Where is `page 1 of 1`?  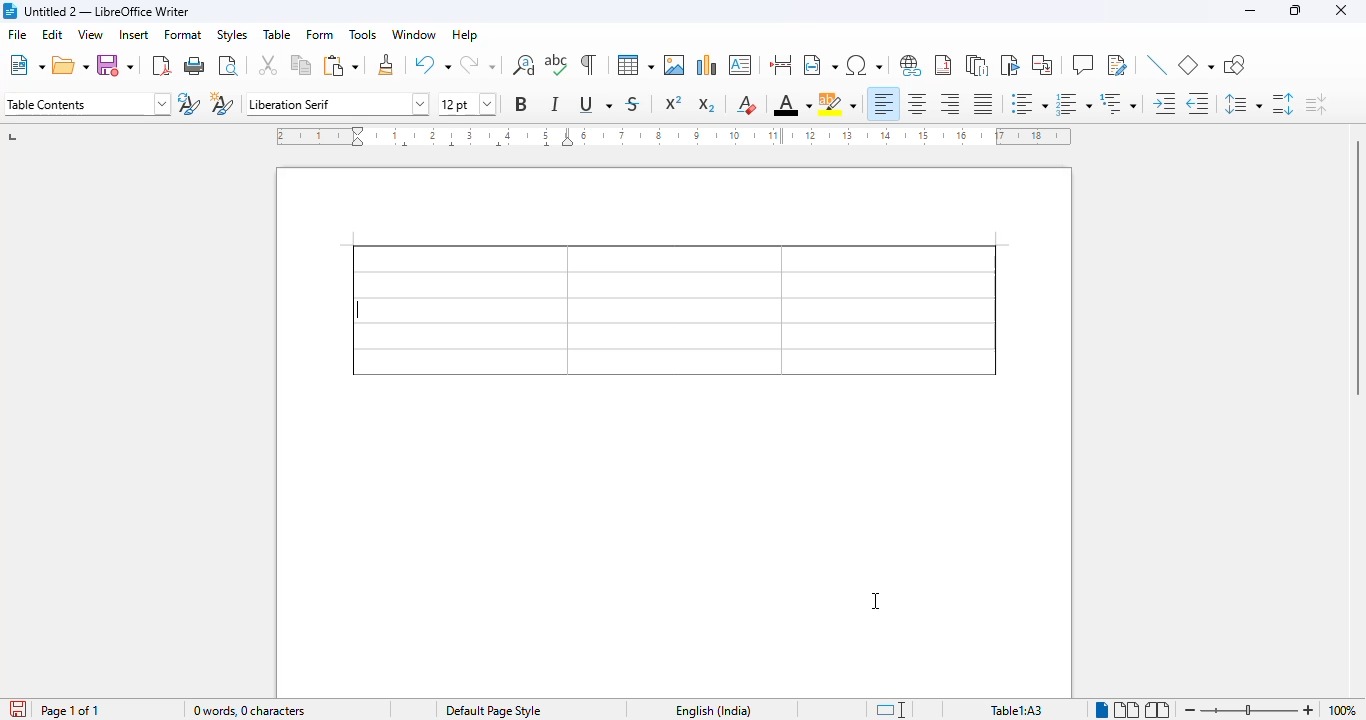
page 1 of 1 is located at coordinates (70, 711).